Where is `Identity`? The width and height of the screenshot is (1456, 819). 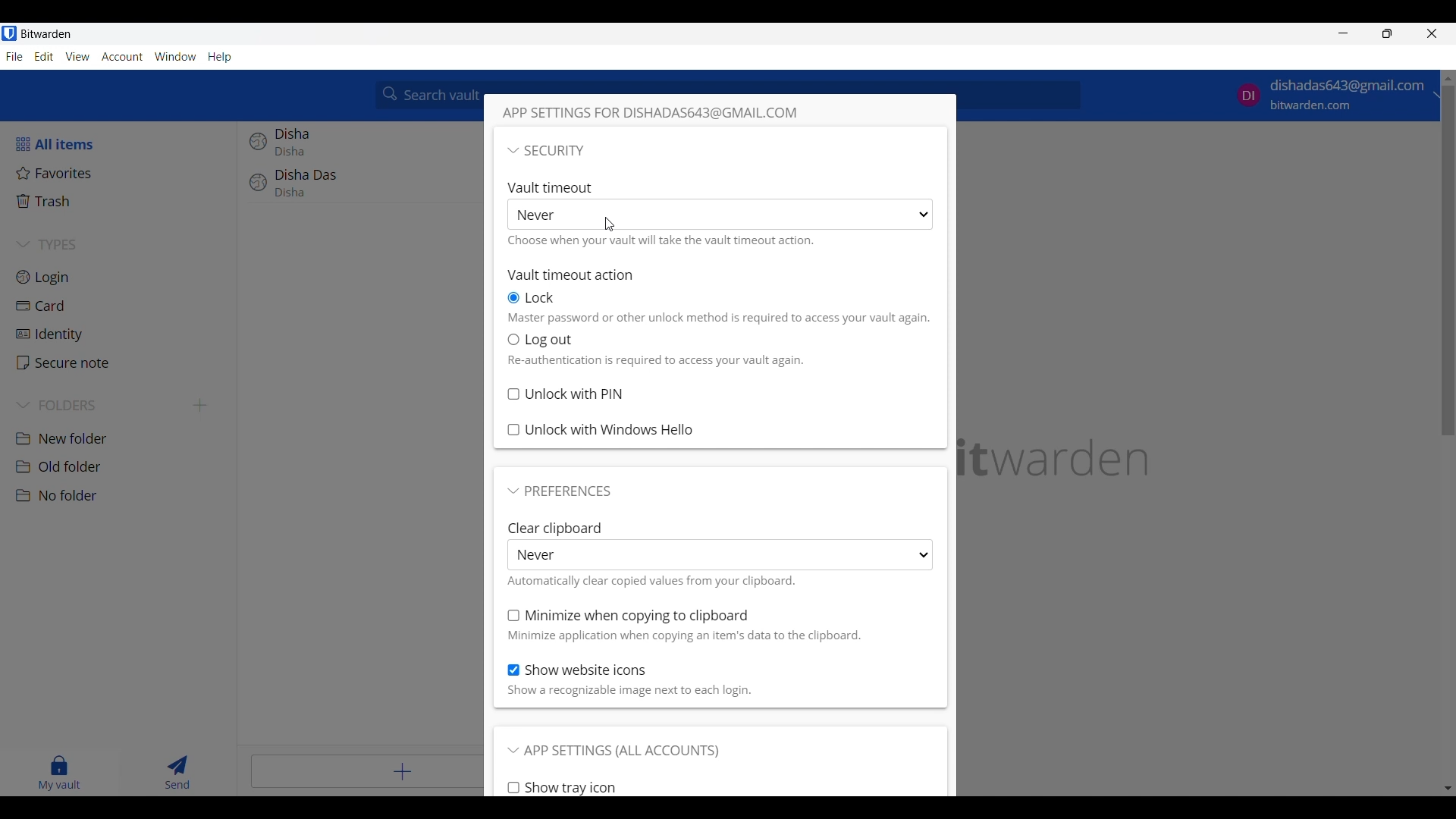
Identity is located at coordinates (121, 335).